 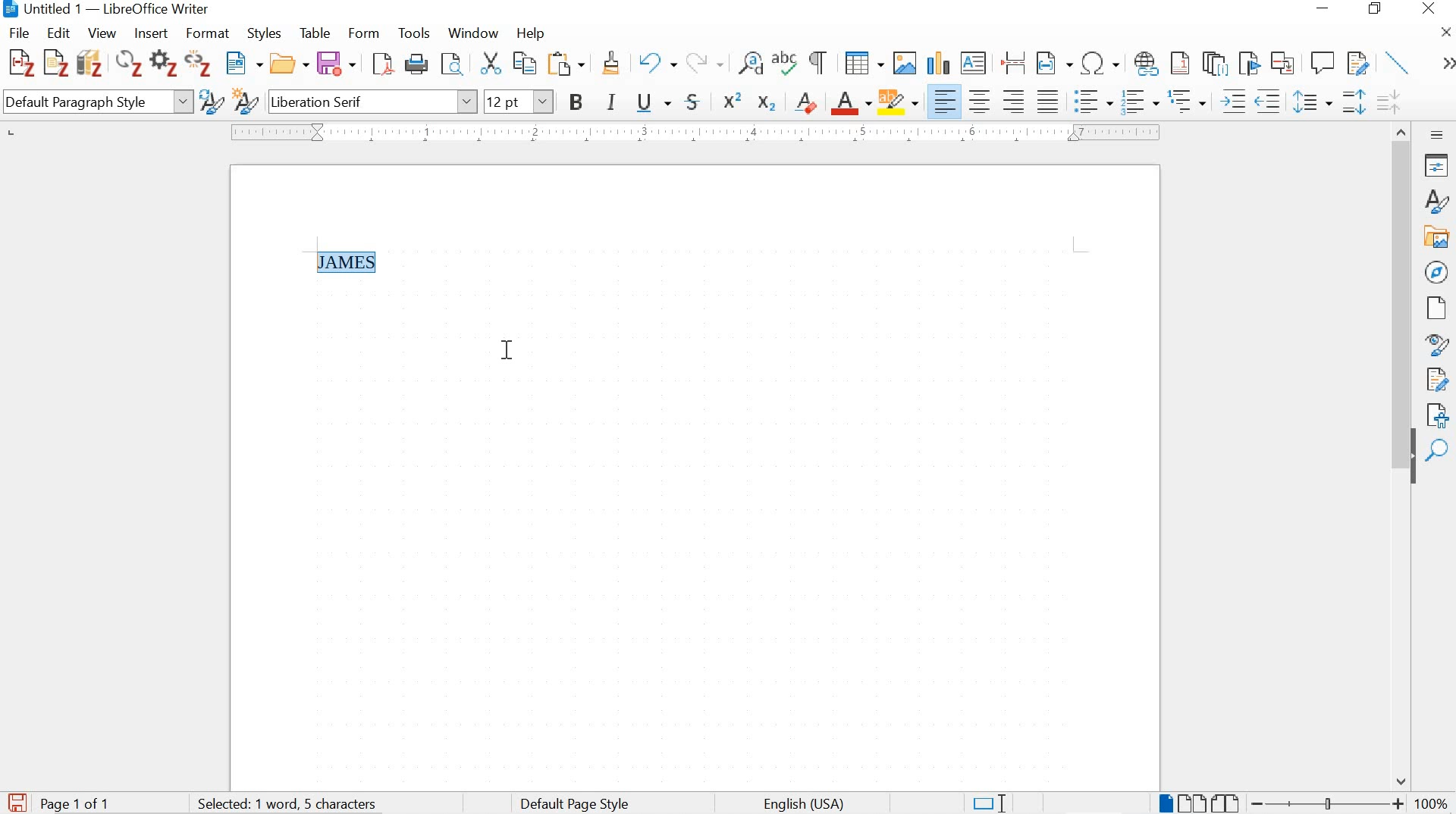 I want to click on clear direct formatting, so click(x=807, y=101).